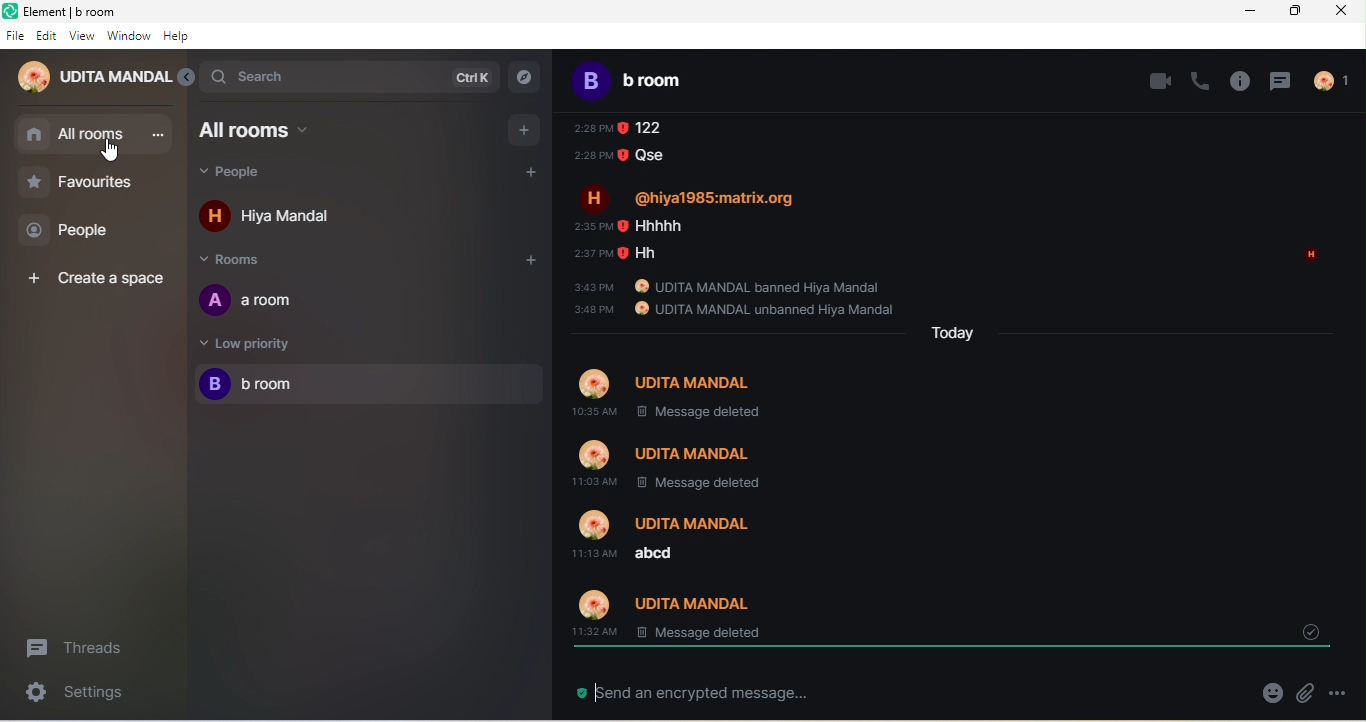 Image resolution: width=1366 pixels, height=722 pixels. Describe the element at coordinates (1237, 81) in the screenshot. I see `info` at that location.